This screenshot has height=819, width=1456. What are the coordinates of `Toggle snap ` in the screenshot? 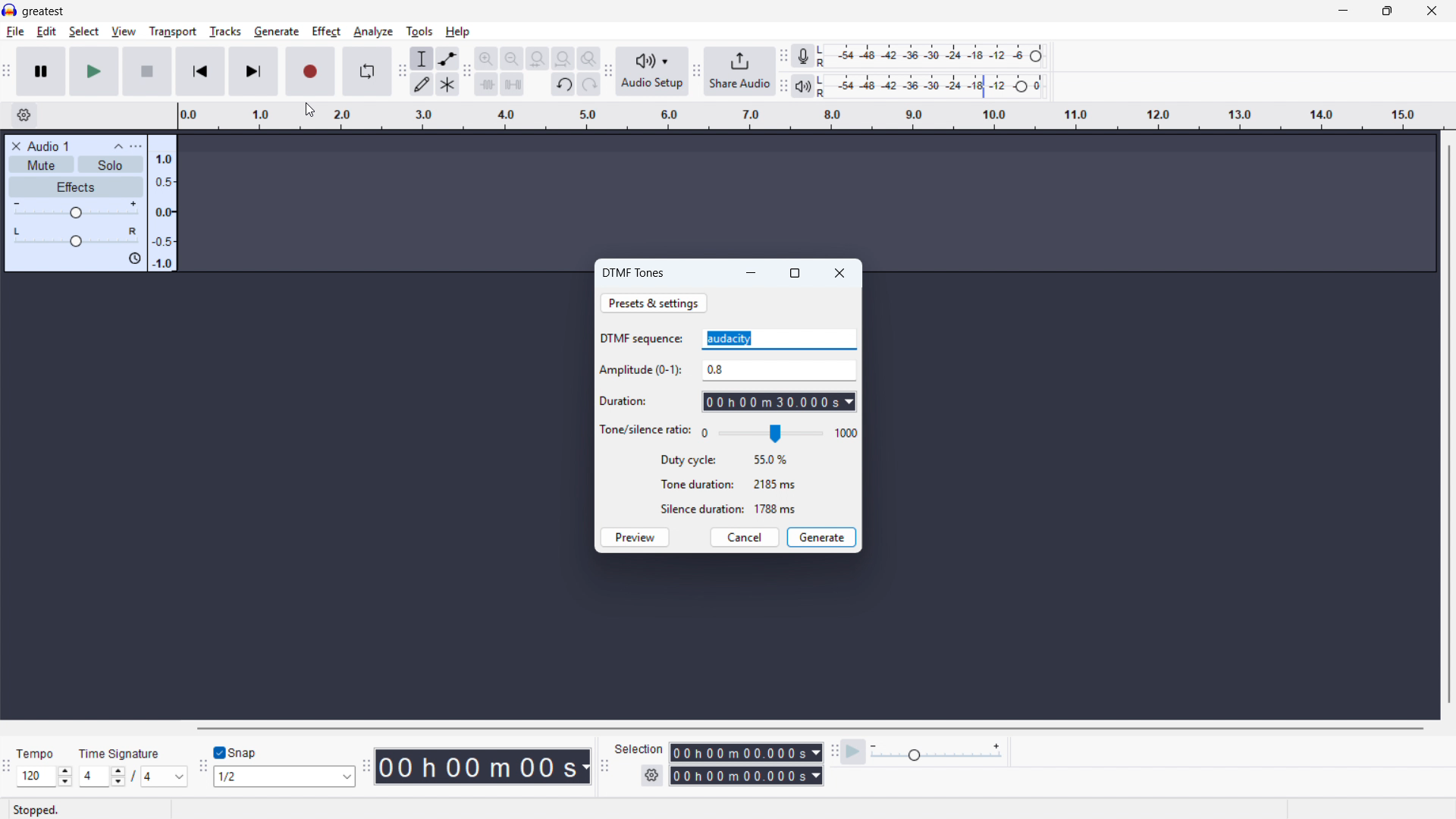 It's located at (235, 752).